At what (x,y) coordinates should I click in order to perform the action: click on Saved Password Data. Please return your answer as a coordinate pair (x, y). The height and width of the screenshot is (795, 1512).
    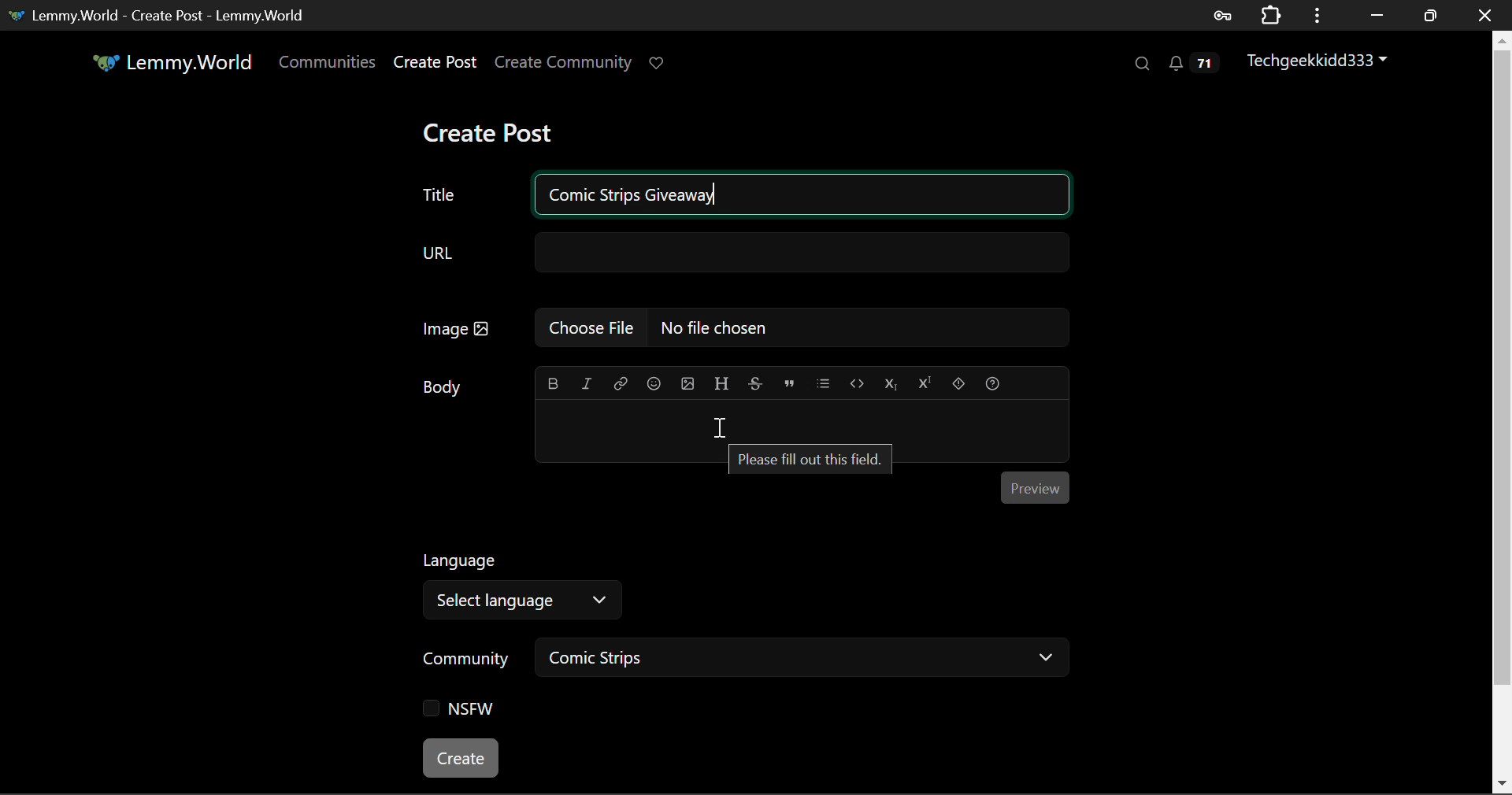
    Looking at the image, I should click on (1221, 15).